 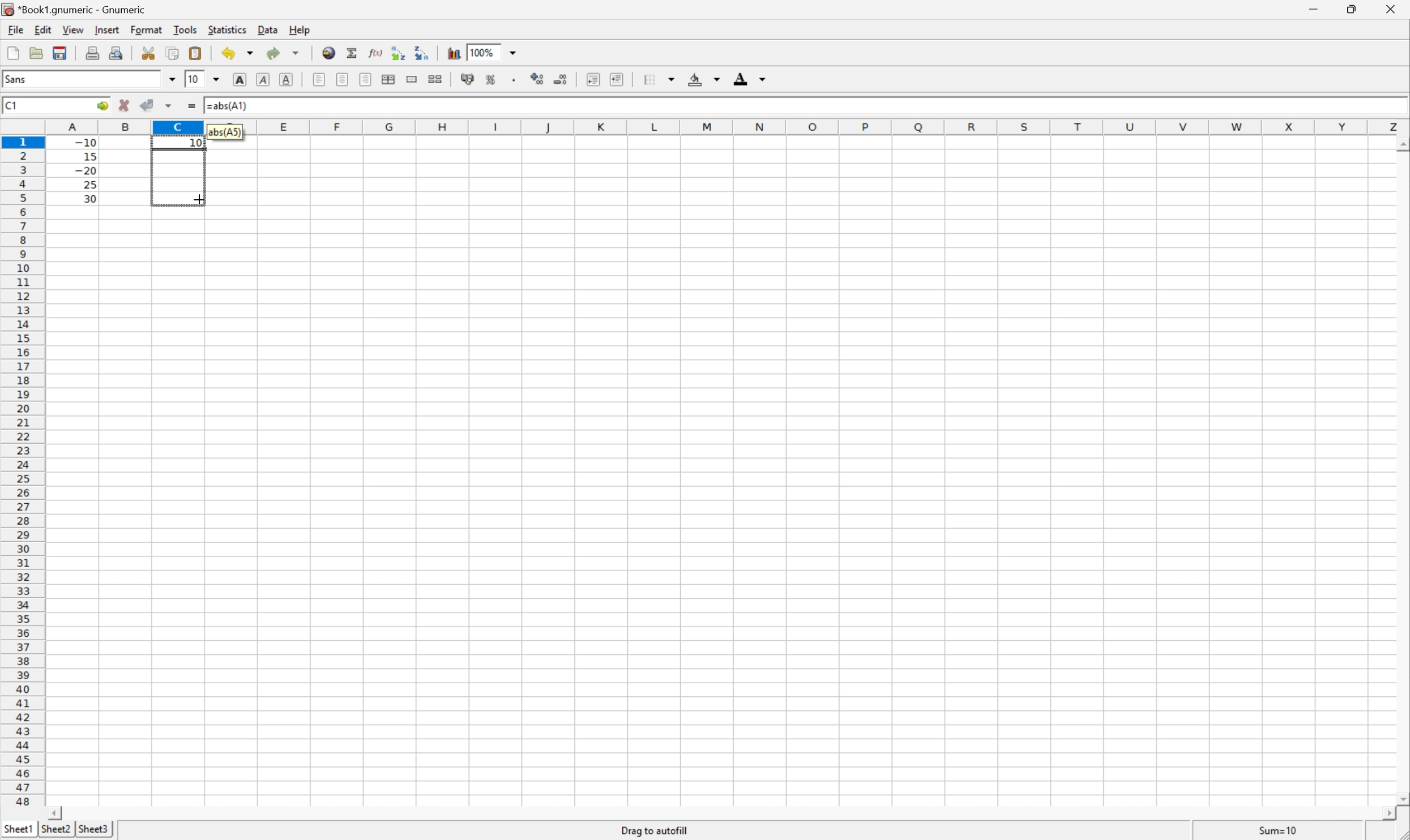 I want to click on Accept change in multiple cells, so click(x=171, y=106).